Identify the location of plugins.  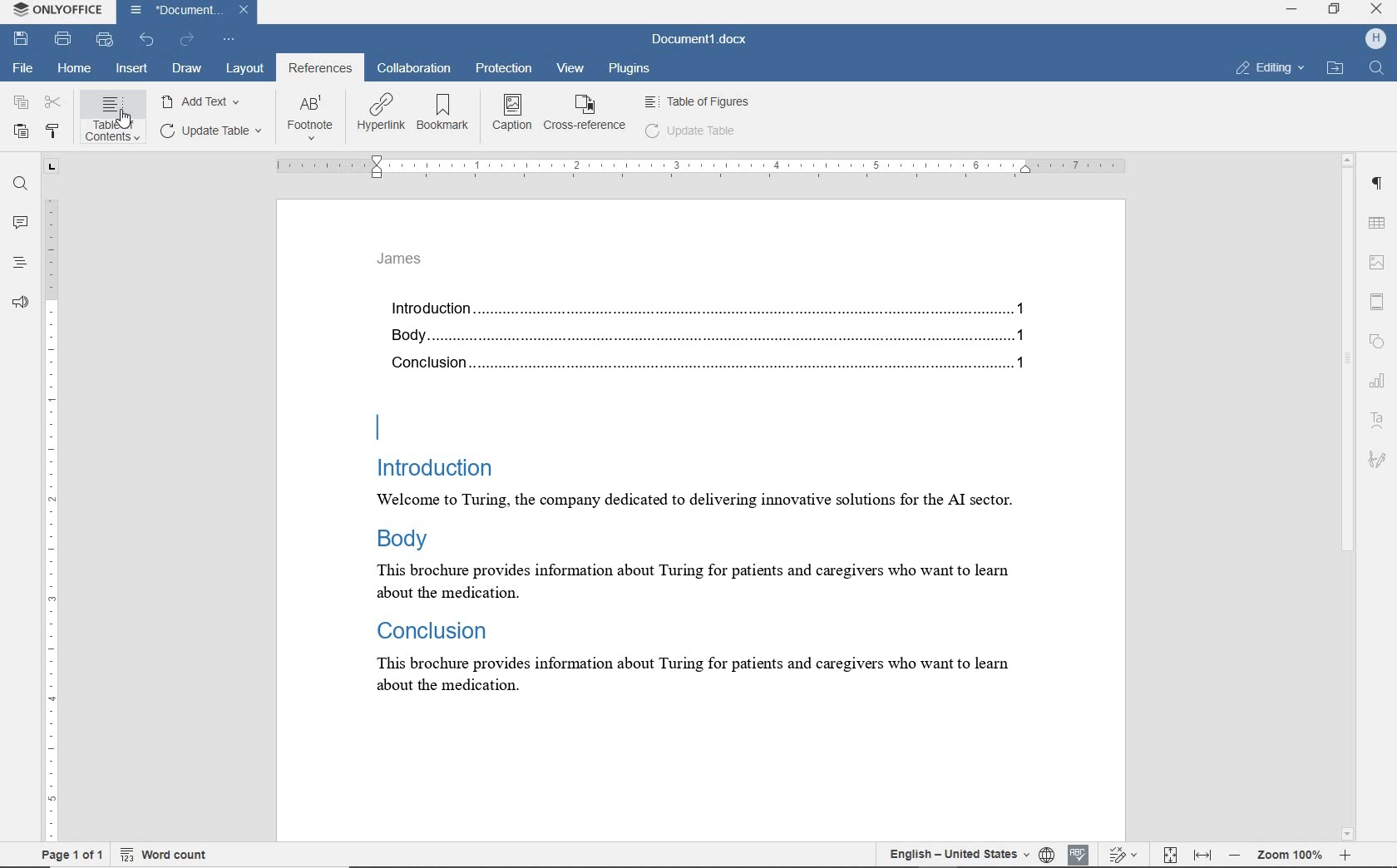
(628, 67).